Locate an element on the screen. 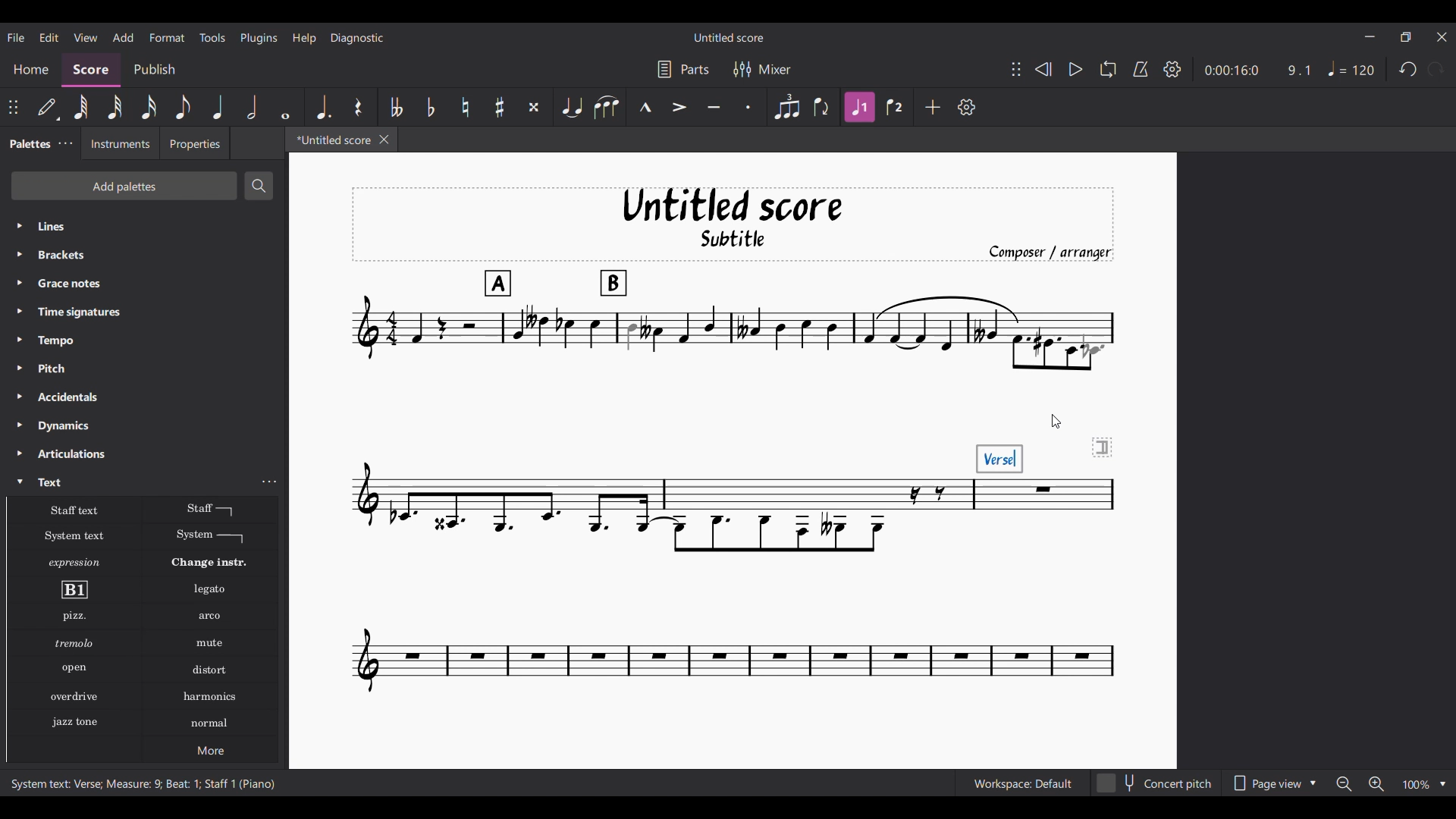 The width and height of the screenshot is (1456, 819). *Untitled score, current tab is located at coordinates (331, 139).